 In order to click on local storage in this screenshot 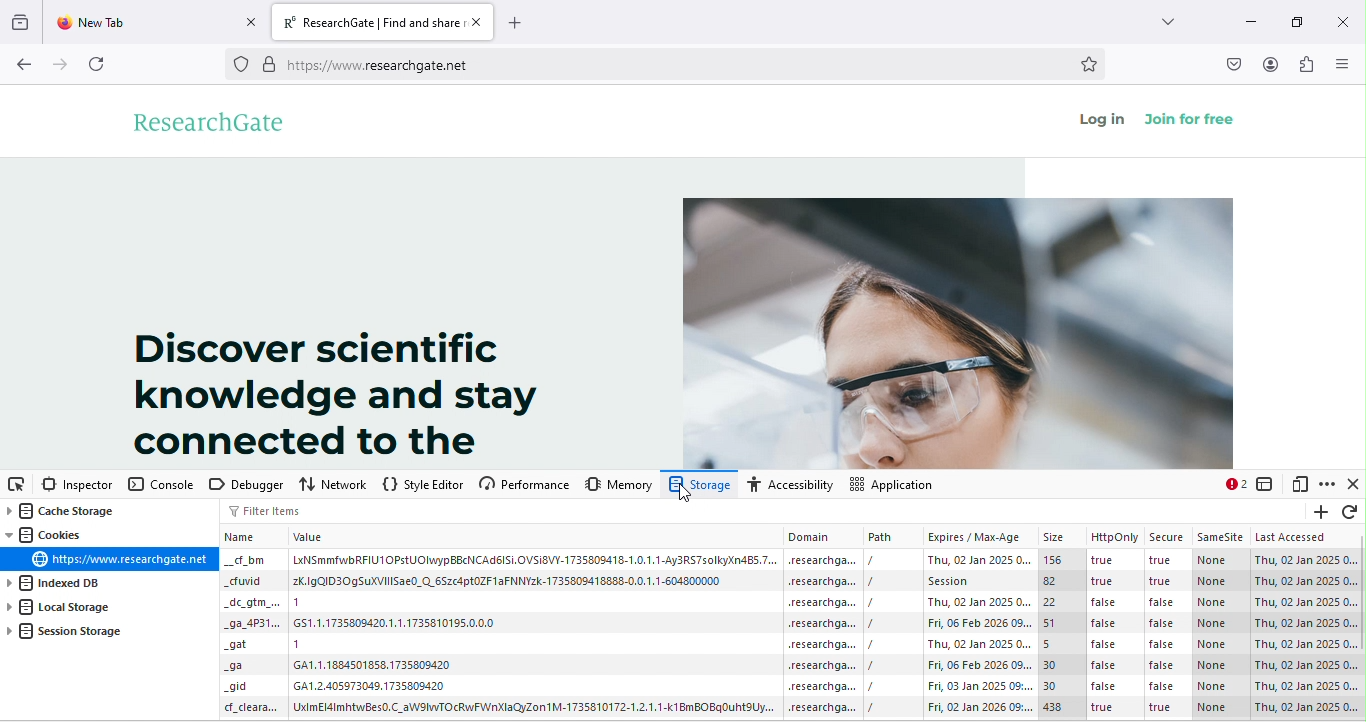, I will do `click(65, 607)`.